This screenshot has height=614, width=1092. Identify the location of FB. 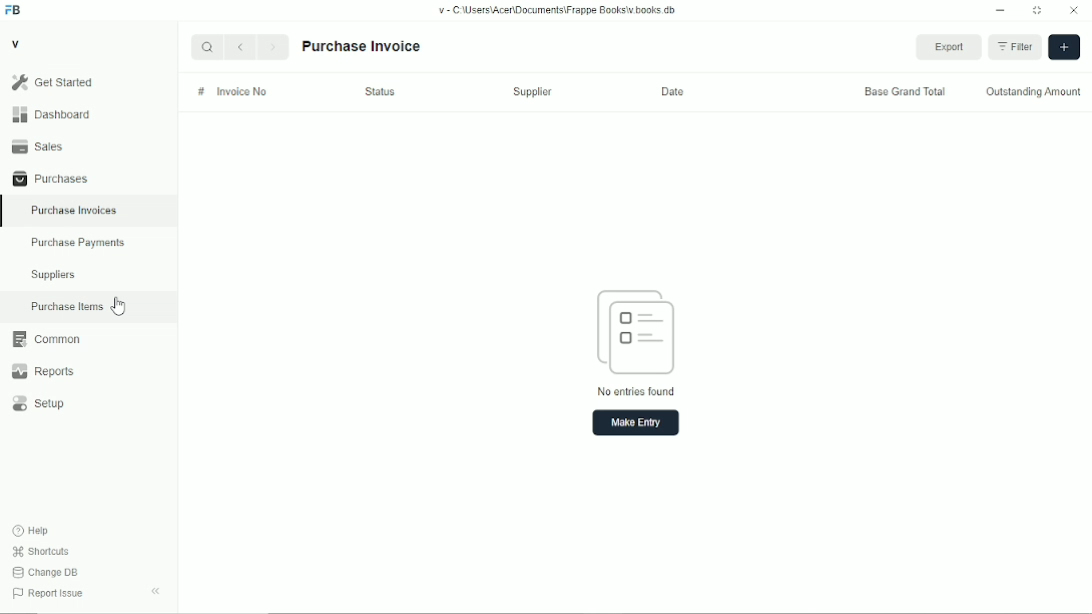
(14, 11).